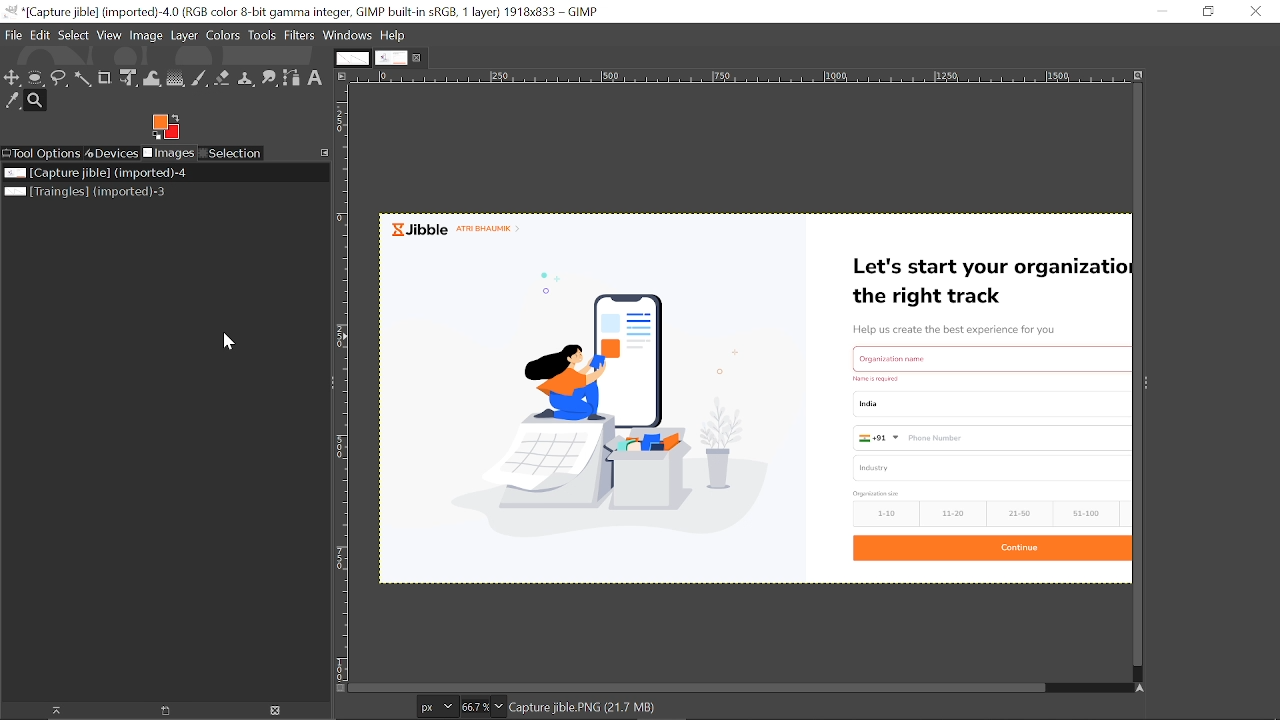 The height and width of the screenshot is (720, 1280). I want to click on minimize, so click(1162, 13).